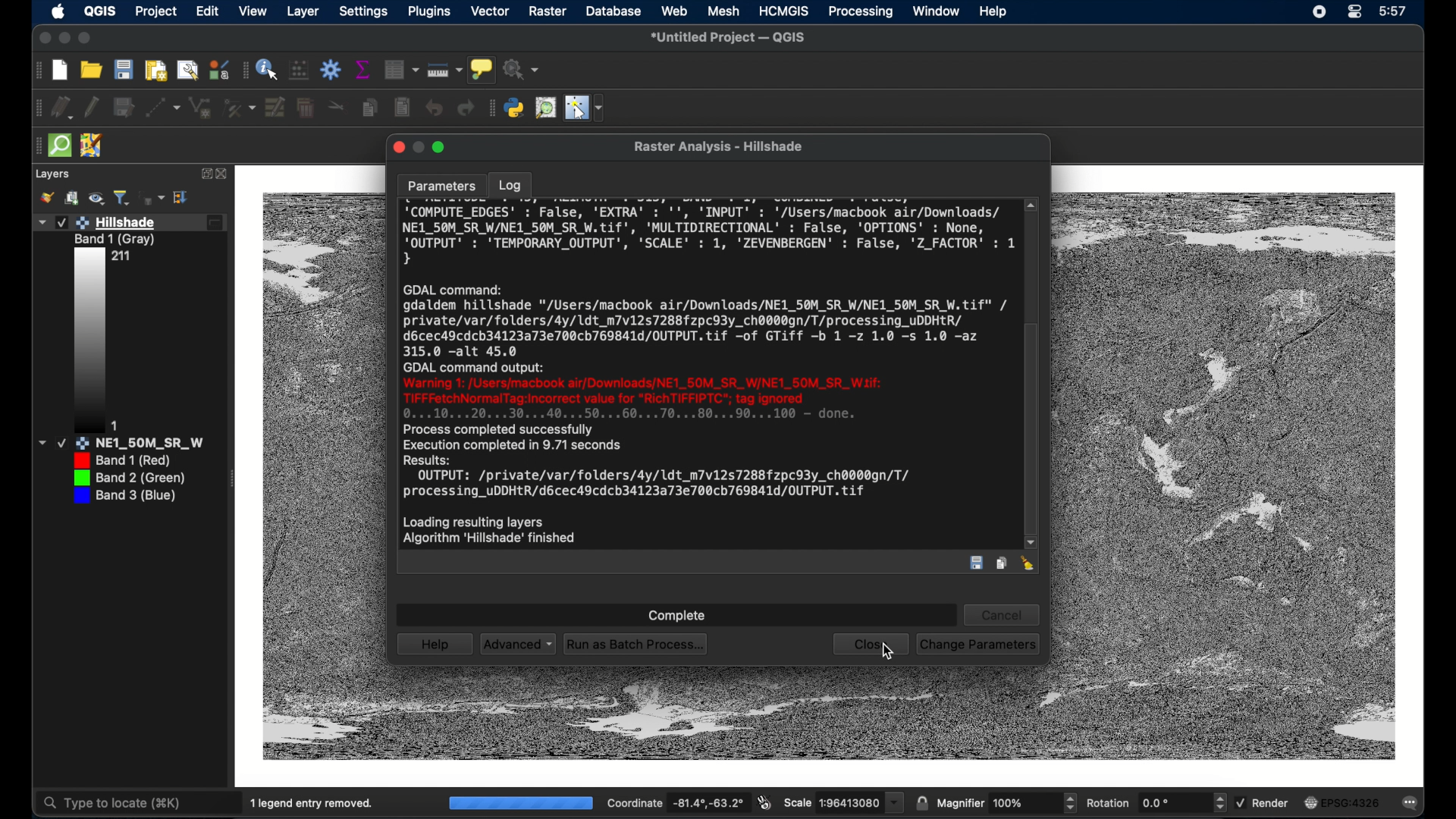  What do you see at coordinates (835, 802) in the screenshot?
I see `scale` at bounding box center [835, 802].